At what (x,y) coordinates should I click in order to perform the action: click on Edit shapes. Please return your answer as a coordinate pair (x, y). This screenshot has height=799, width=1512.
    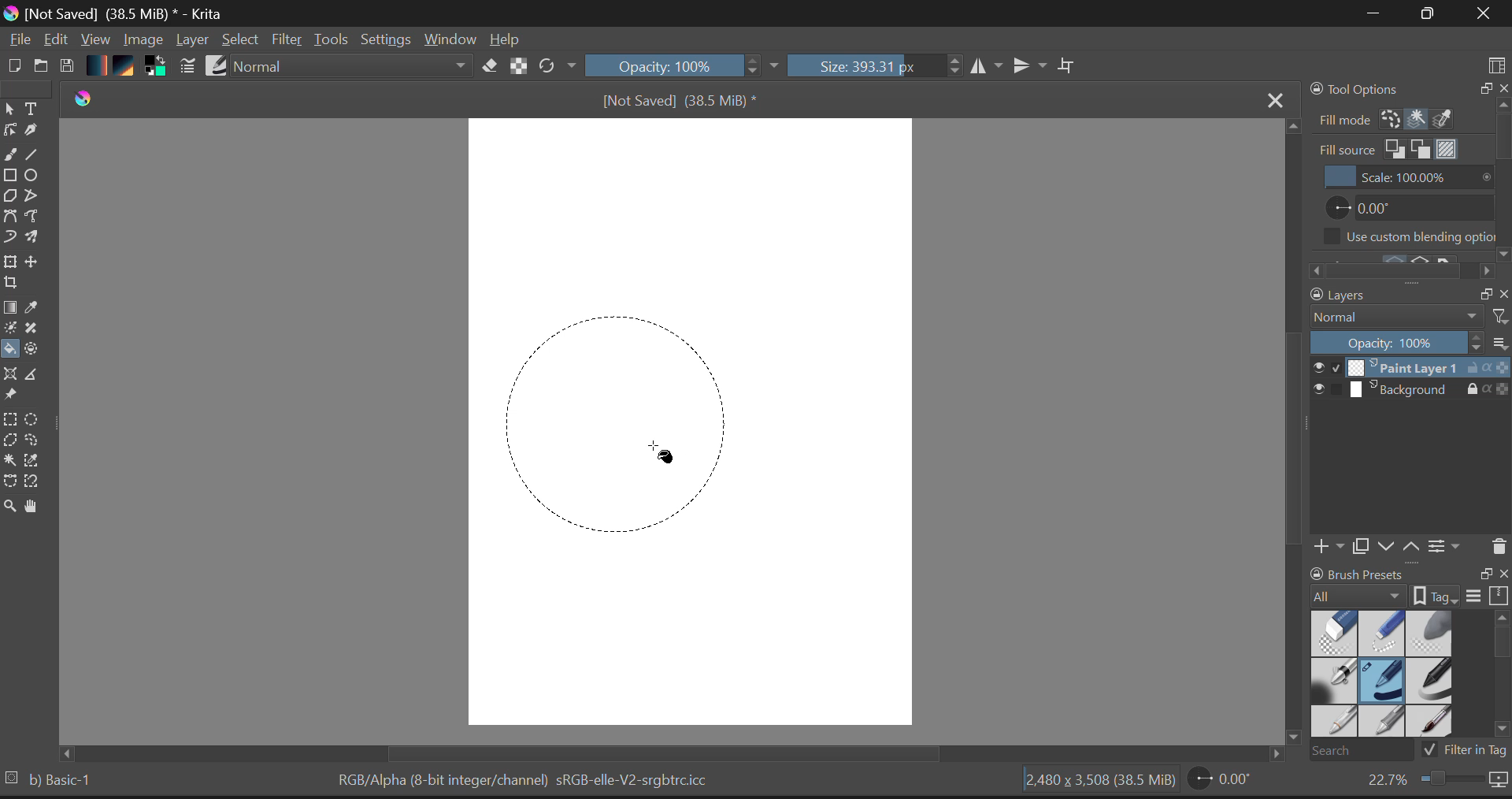
    Looking at the image, I should click on (9, 132).